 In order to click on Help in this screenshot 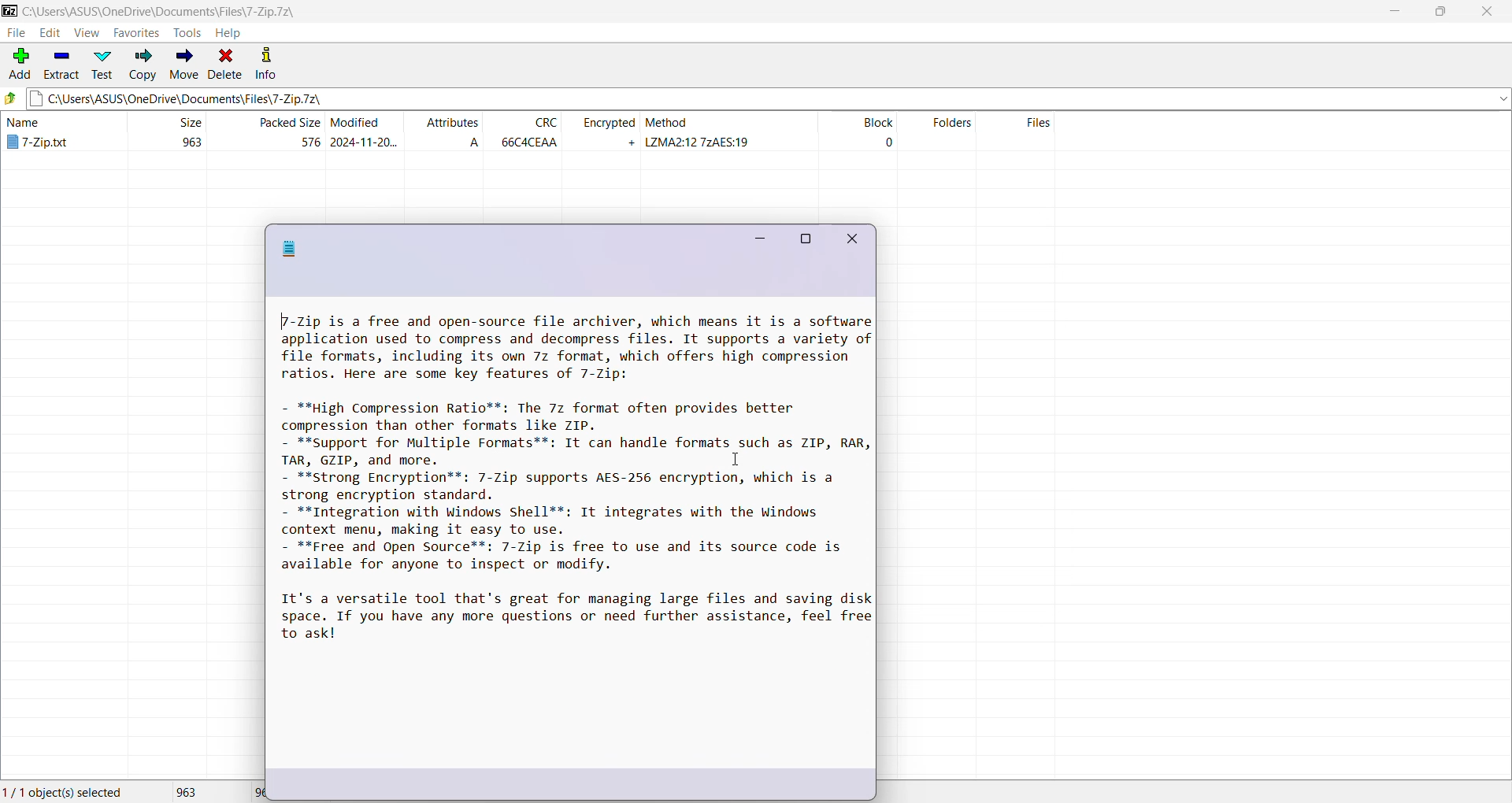, I will do `click(228, 32)`.